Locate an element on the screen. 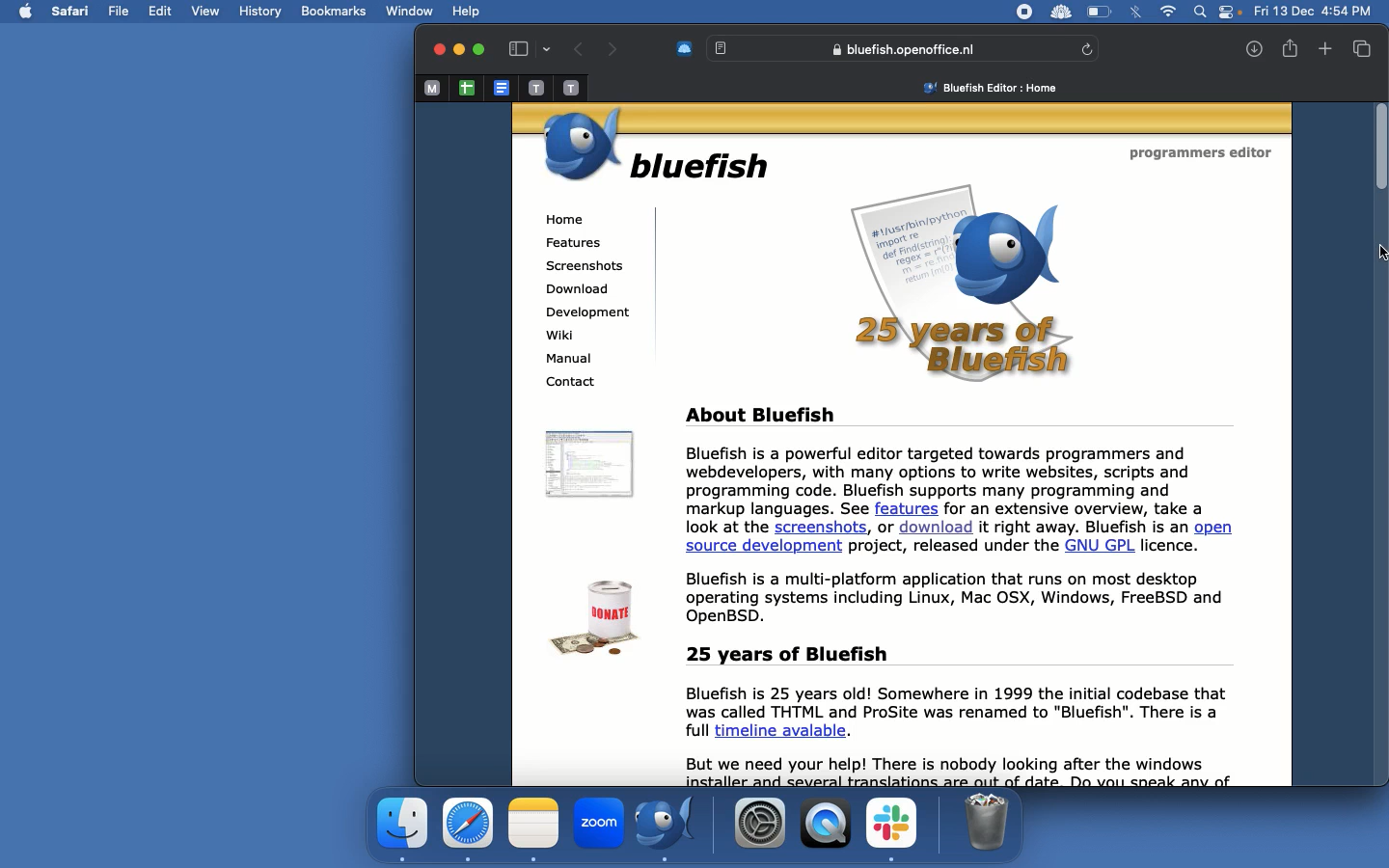  Google sheet tab is located at coordinates (466, 88).